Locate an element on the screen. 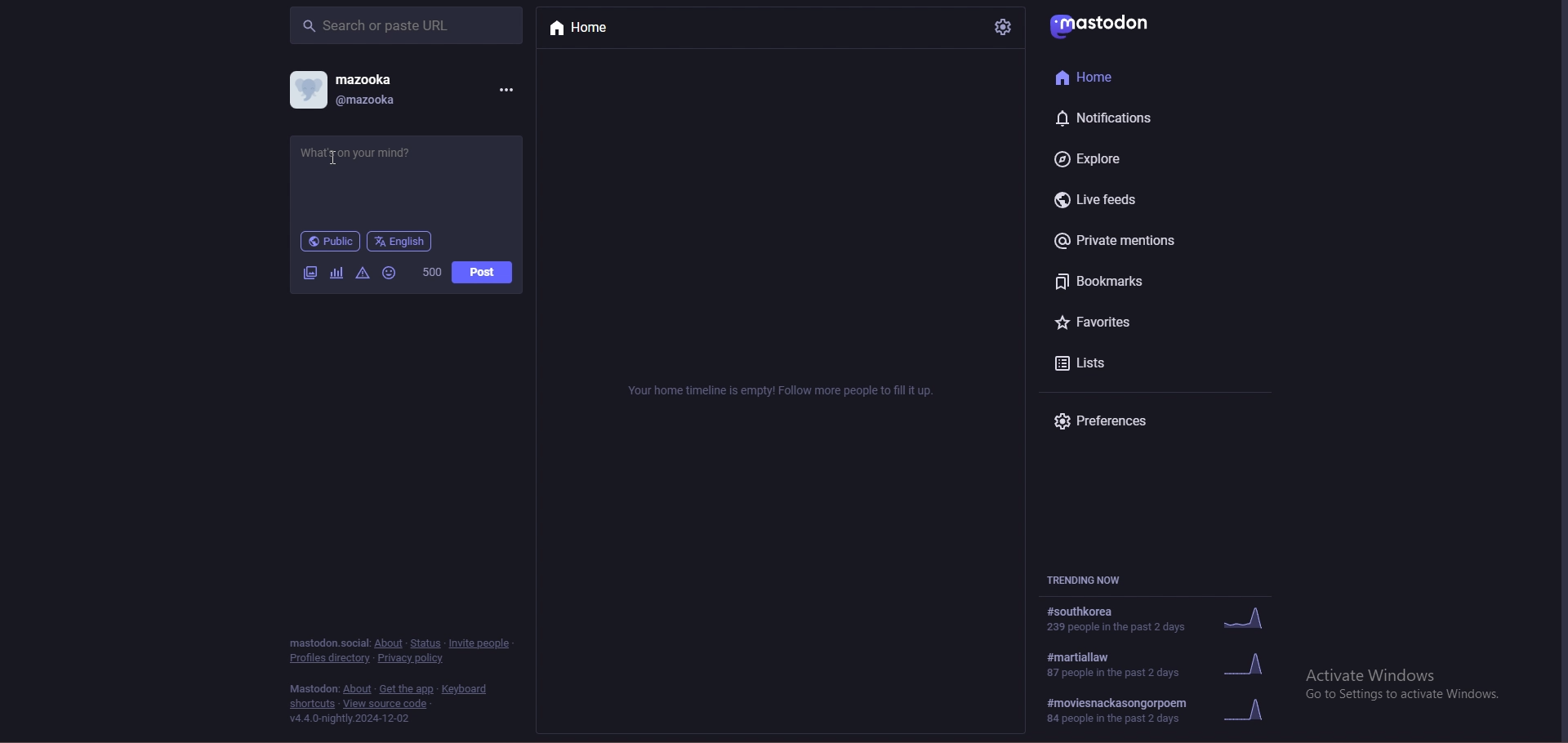 Image resolution: width=1568 pixels, height=743 pixels. live feeds is located at coordinates (1104, 200).